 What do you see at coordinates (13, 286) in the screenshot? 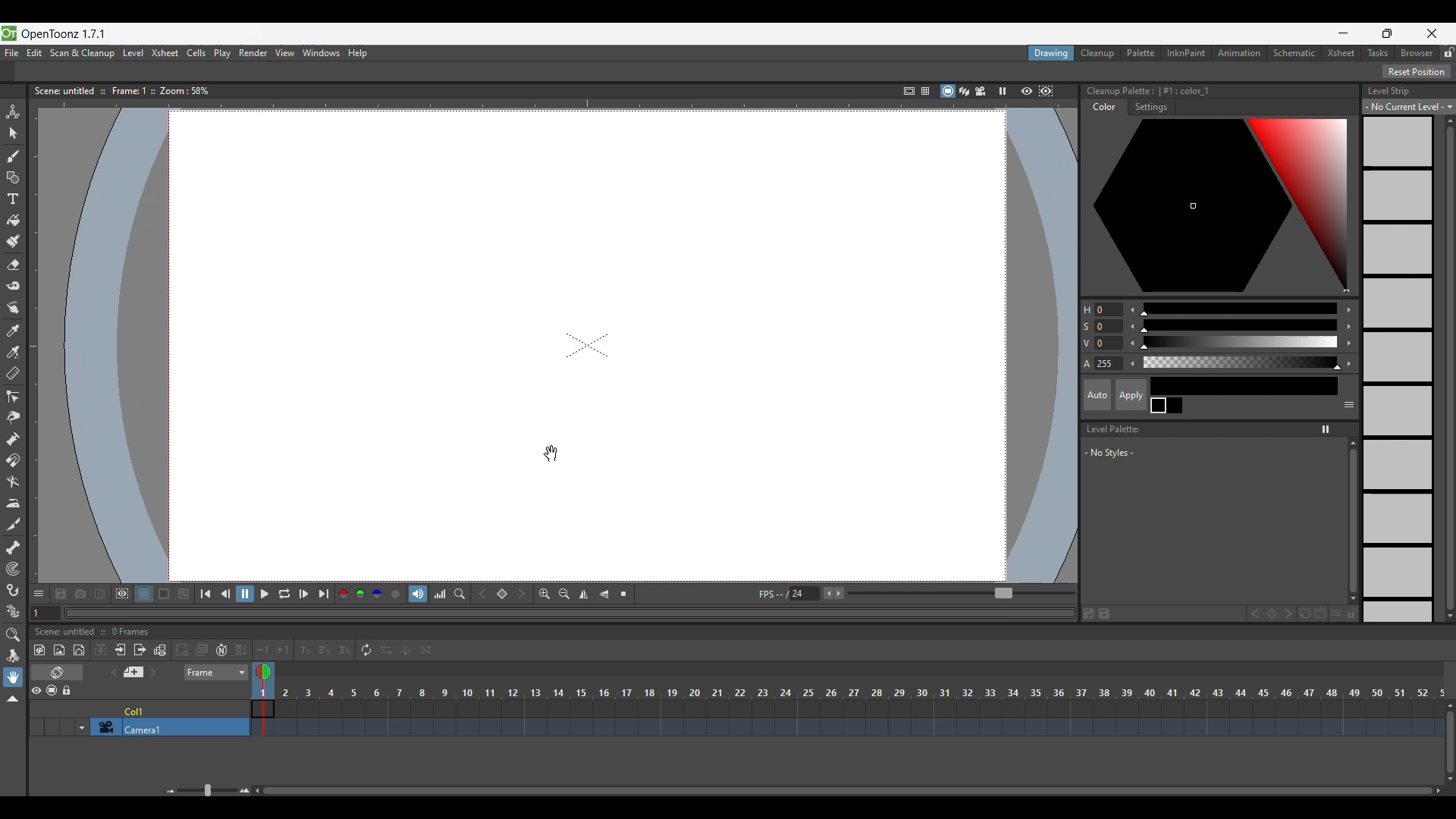
I see `Tape tool` at bounding box center [13, 286].